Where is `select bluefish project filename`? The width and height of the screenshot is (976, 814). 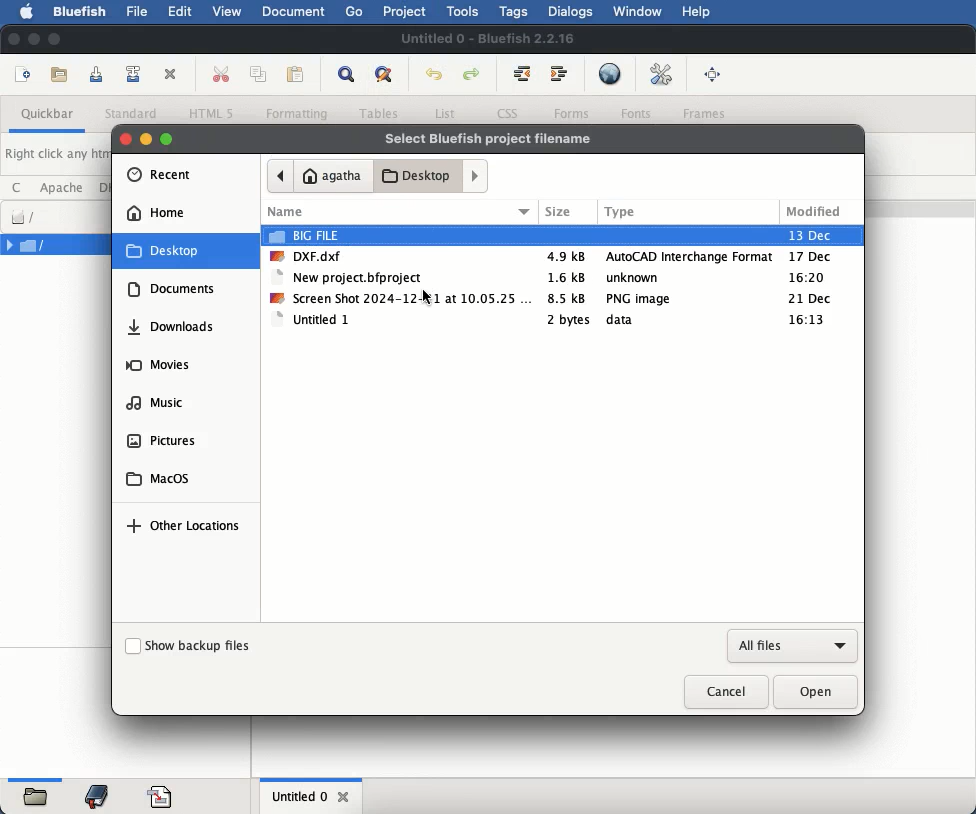
select bluefish project filename is located at coordinates (488, 139).